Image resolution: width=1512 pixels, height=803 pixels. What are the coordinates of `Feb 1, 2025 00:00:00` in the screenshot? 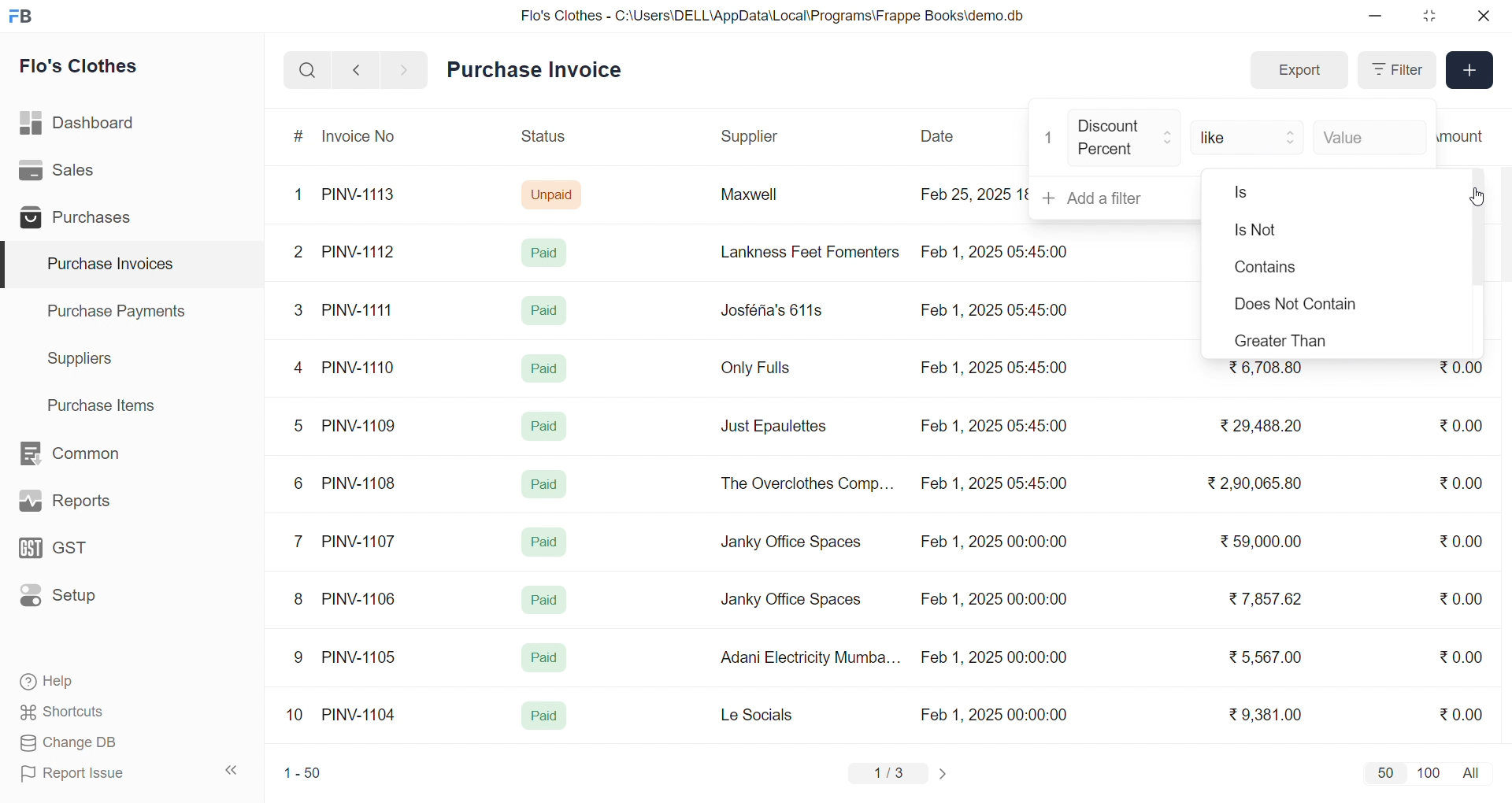 It's located at (991, 597).